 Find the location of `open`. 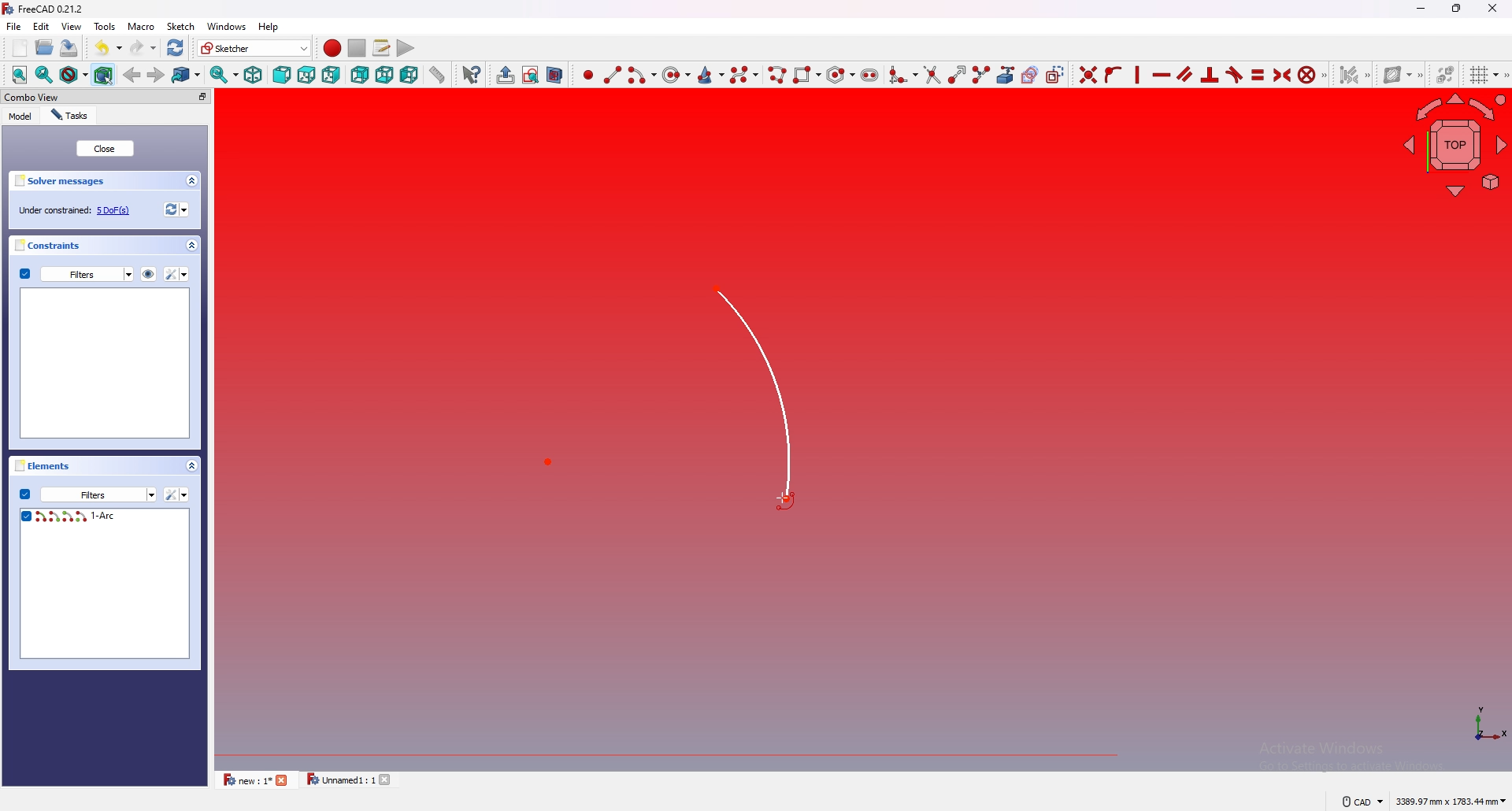

open is located at coordinates (45, 47).